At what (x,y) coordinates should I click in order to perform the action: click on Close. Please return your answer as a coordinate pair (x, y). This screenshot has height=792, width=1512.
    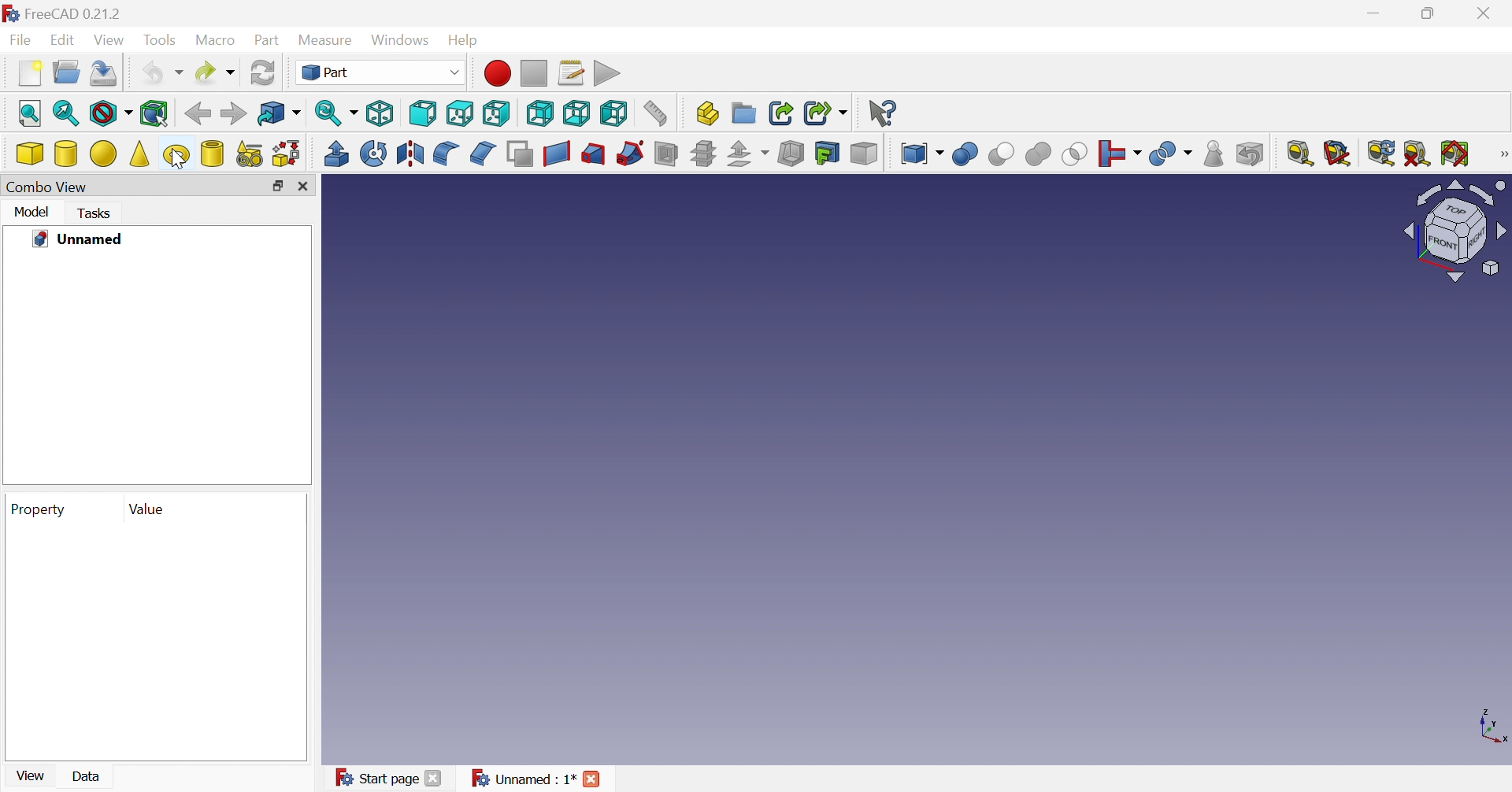
    Looking at the image, I should click on (303, 187).